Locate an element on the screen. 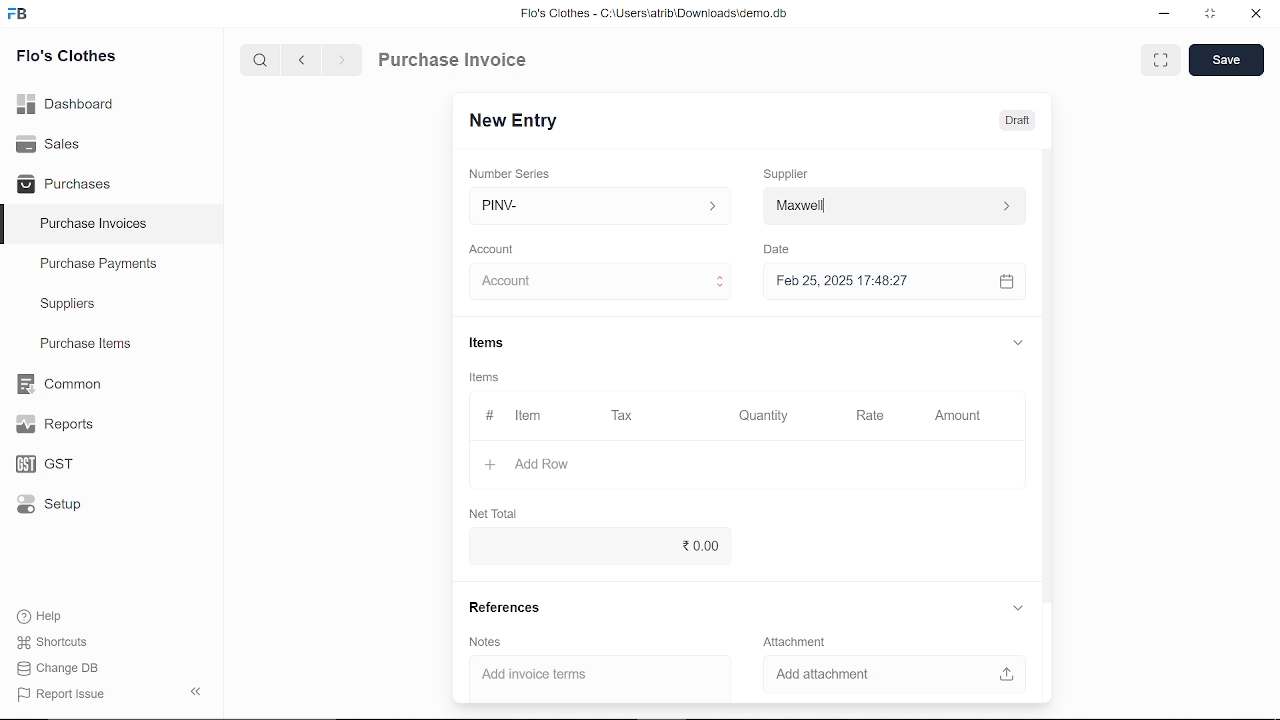 The image size is (1280, 720). expand is located at coordinates (1015, 340).